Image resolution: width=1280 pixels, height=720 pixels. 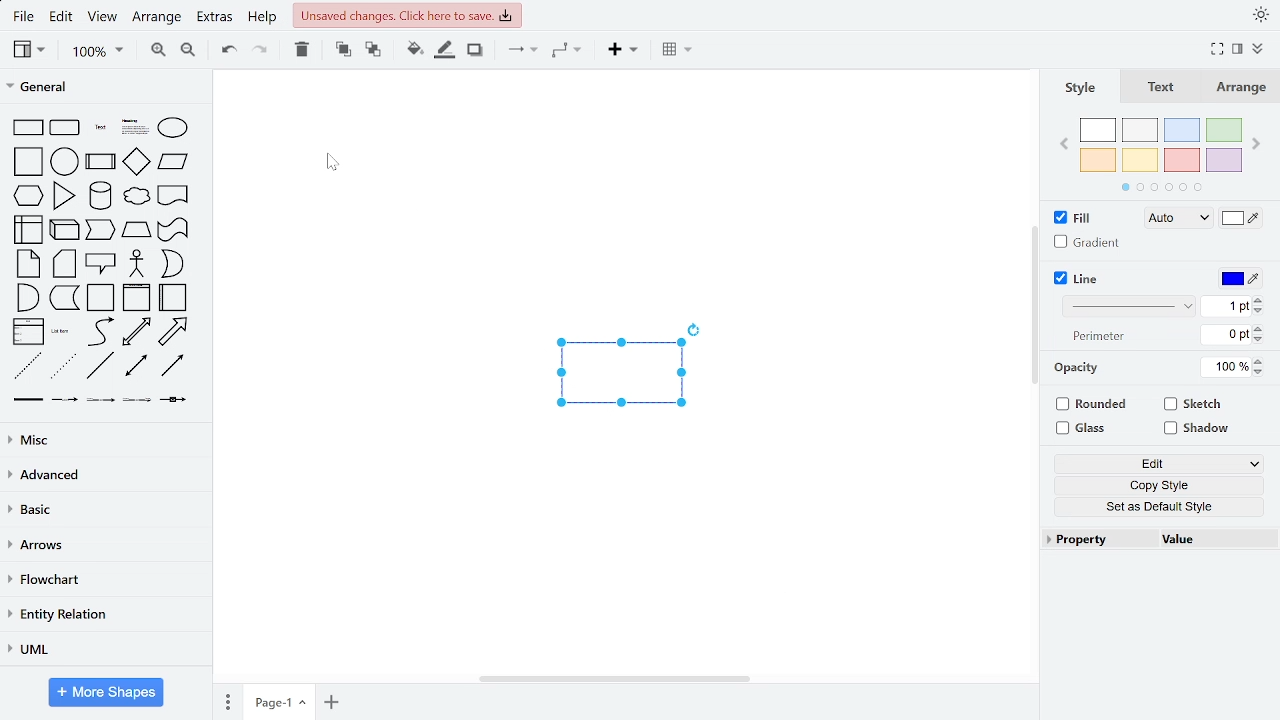 I want to click on current perimeter, so click(x=1225, y=335).